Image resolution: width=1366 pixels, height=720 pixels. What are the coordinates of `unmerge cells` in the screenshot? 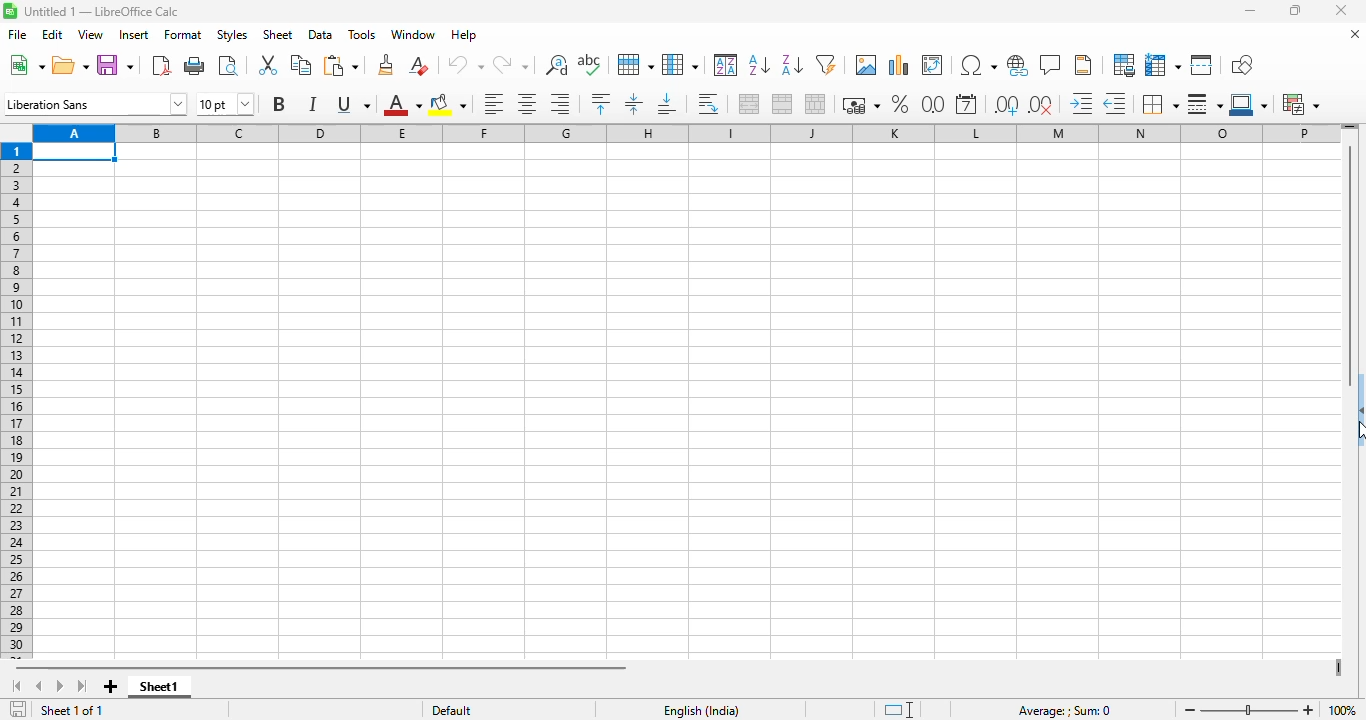 It's located at (815, 104).